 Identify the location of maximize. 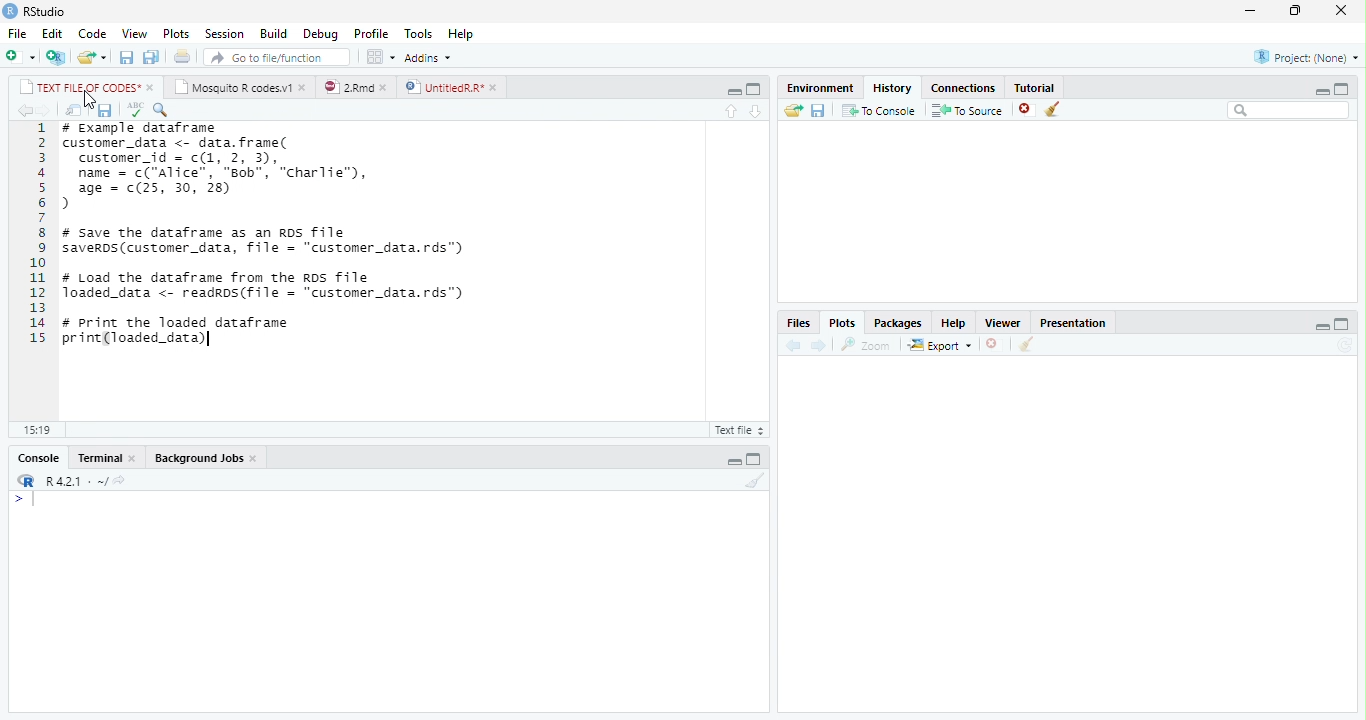
(1342, 89).